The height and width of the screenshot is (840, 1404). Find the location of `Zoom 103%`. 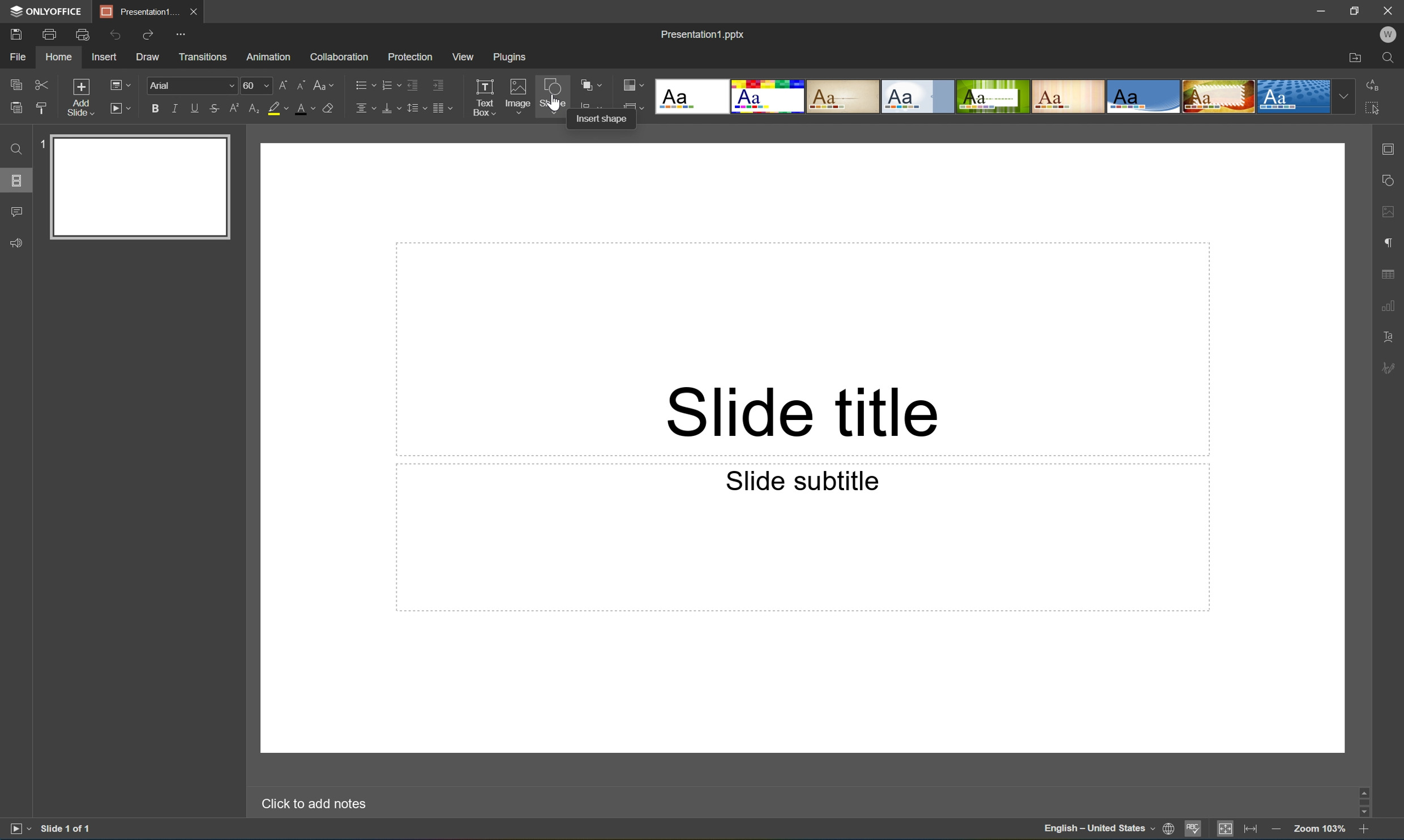

Zoom 103% is located at coordinates (1319, 829).